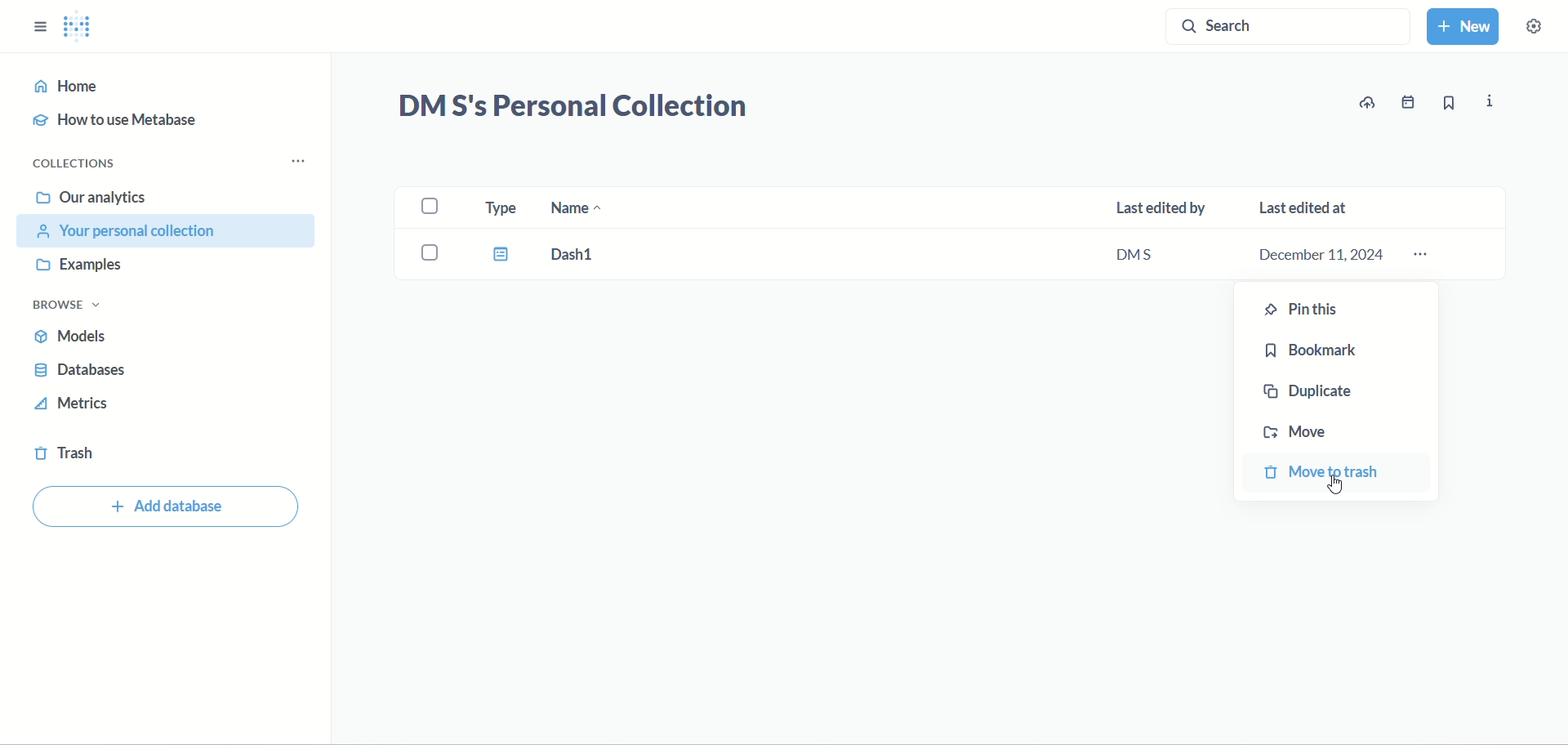 The width and height of the screenshot is (1568, 745). Describe the element at coordinates (1286, 30) in the screenshot. I see `search button` at that location.